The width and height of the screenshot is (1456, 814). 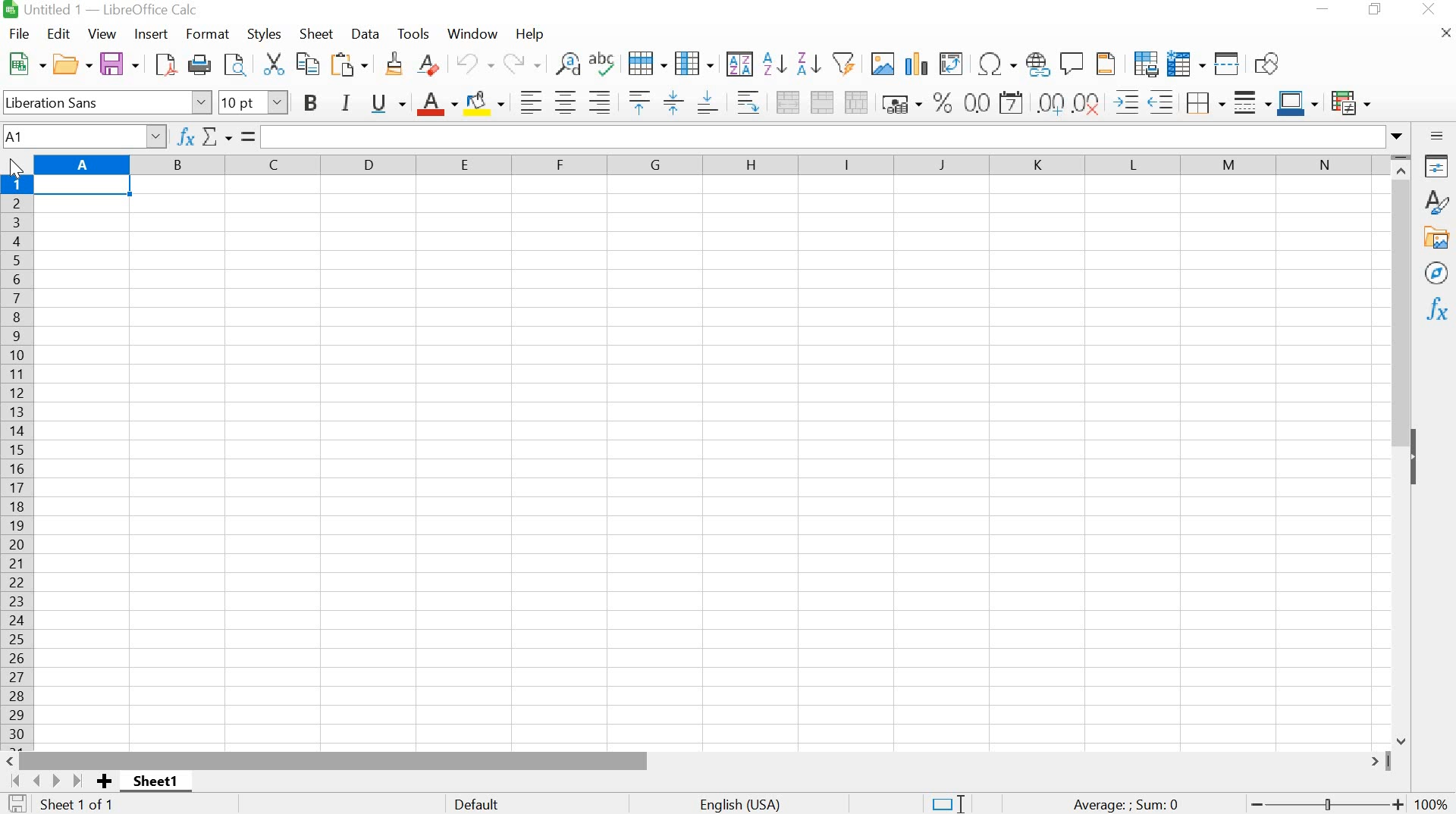 What do you see at coordinates (648, 63) in the screenshot?
I see `ROW` at bounding box center [648, 63].